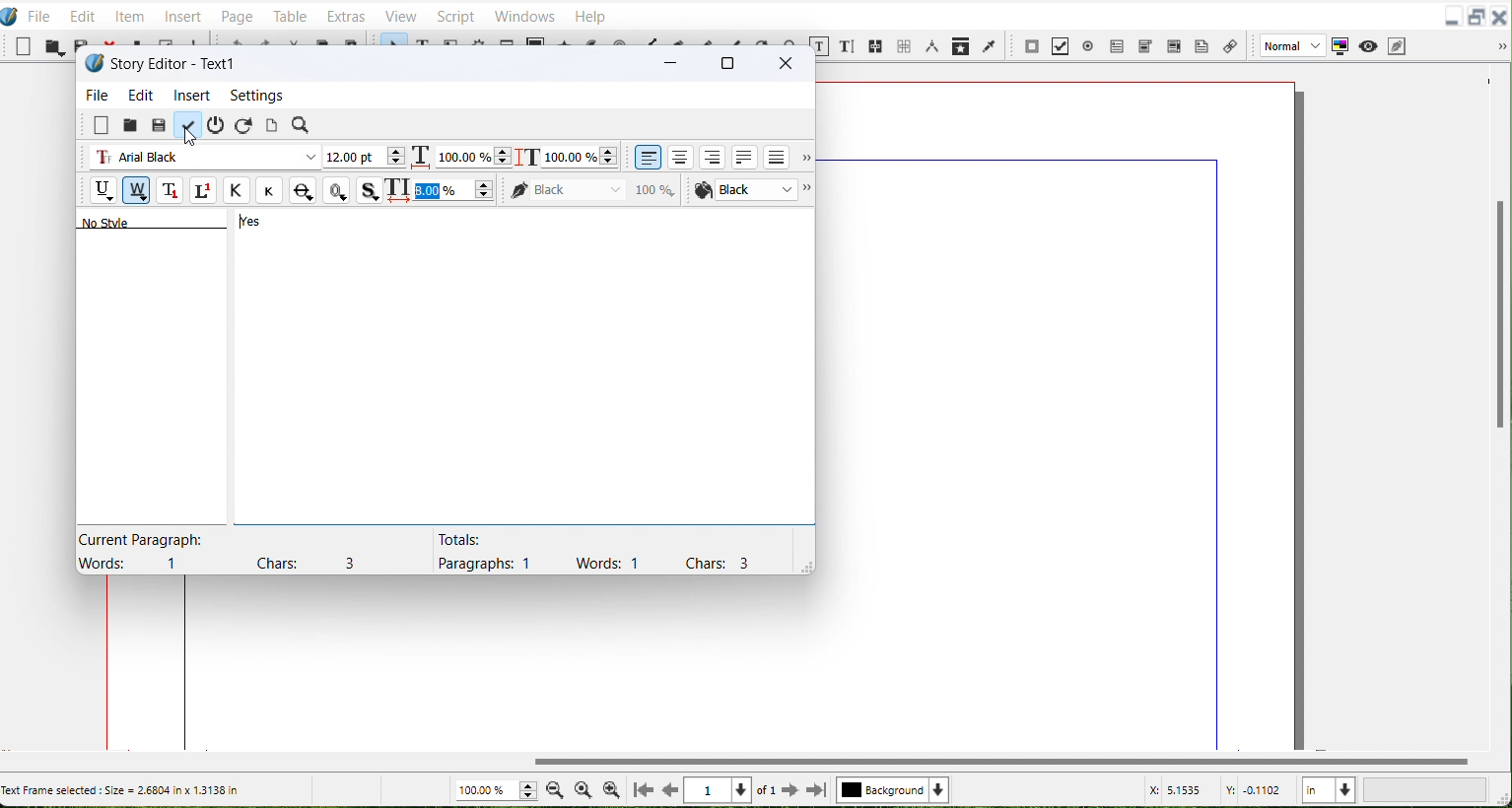 The image size is (1512, 808). I want to click on Vertical scroll bar, so click(740, 761).